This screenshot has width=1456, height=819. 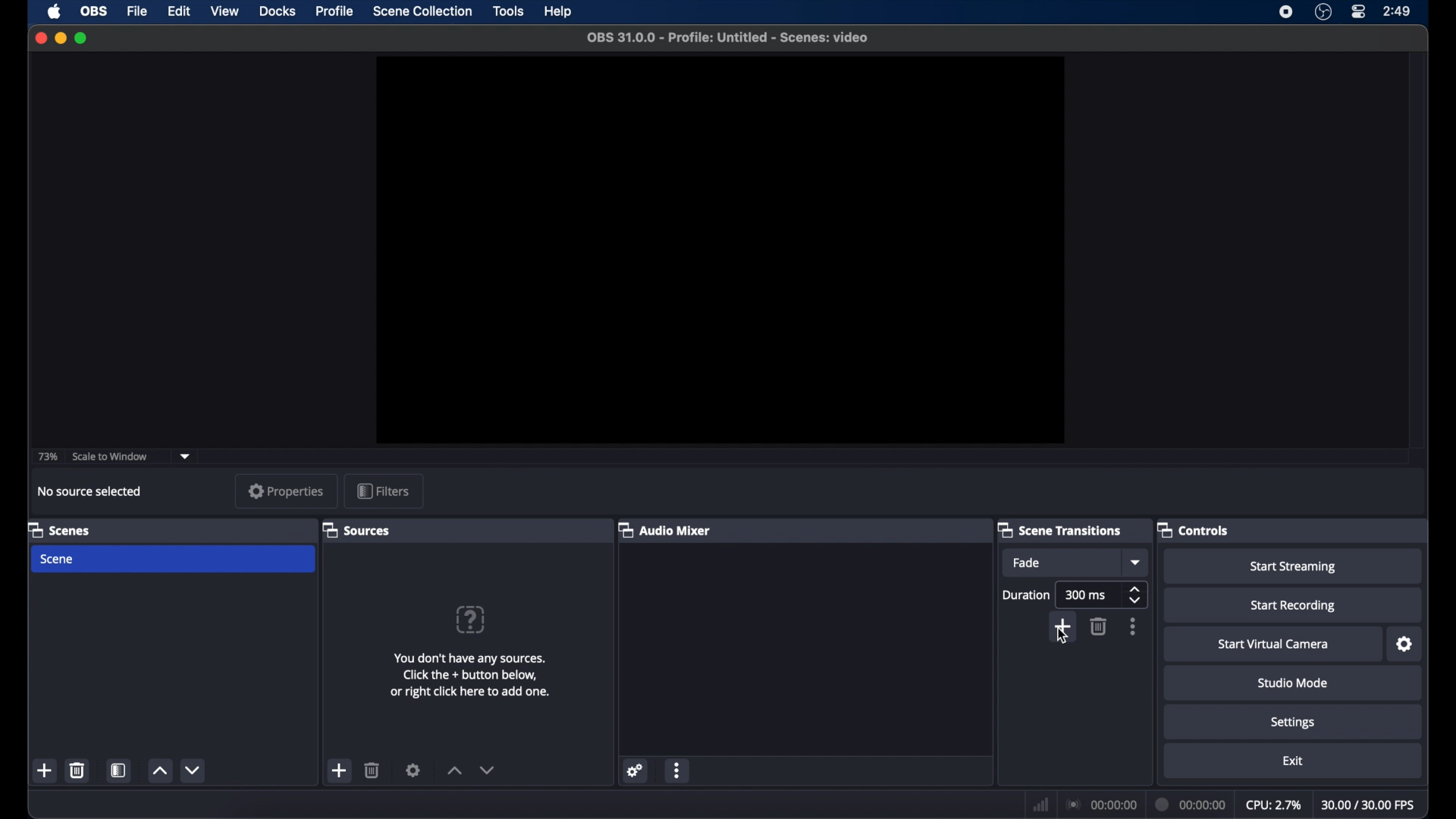 What do you see at coordinates (472, 675) in the screenshot?
I see `info` at bounding box center [472, 675].